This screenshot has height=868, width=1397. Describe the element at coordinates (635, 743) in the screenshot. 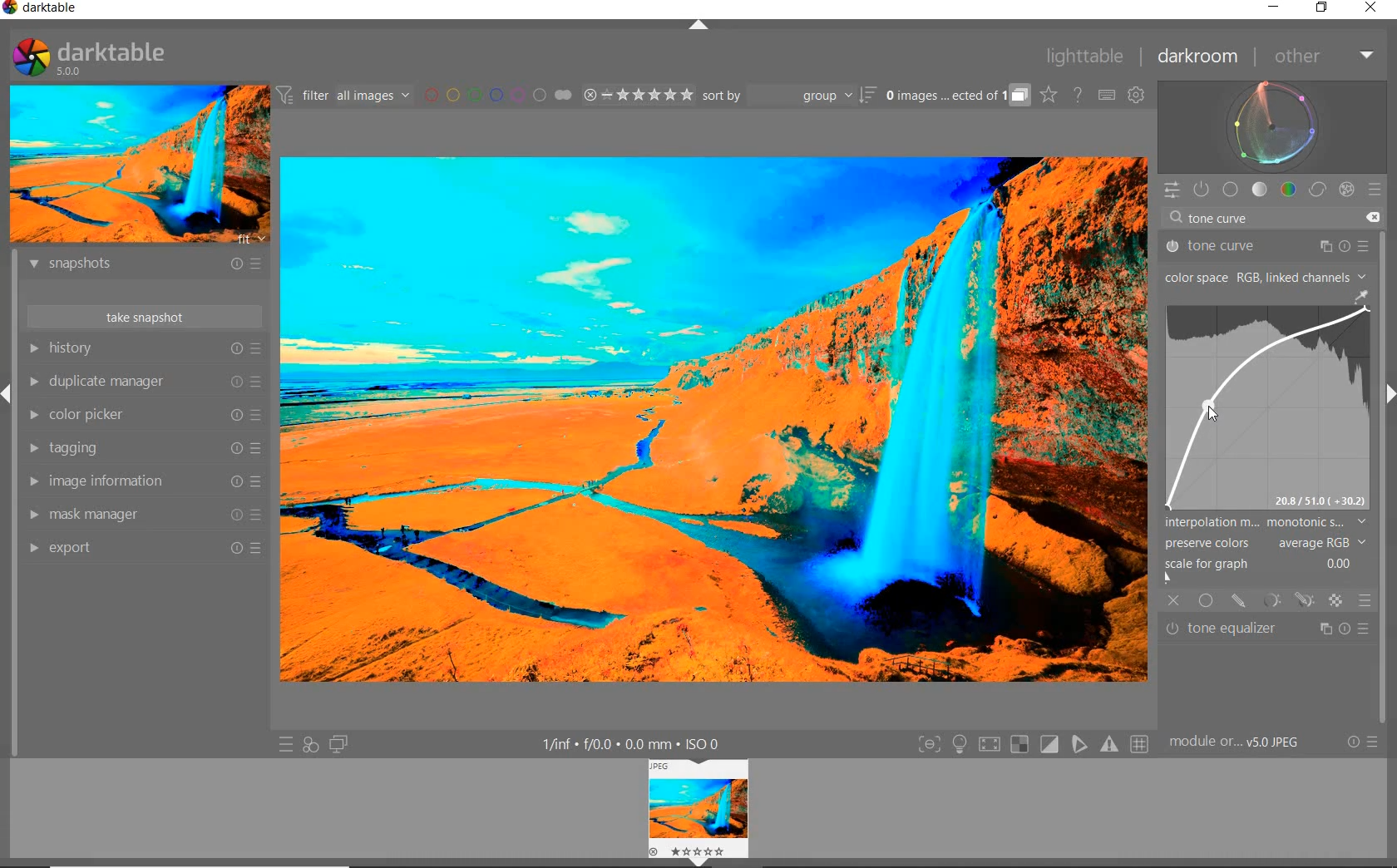

I see `DISPLAYED GUI INFO` at that location.